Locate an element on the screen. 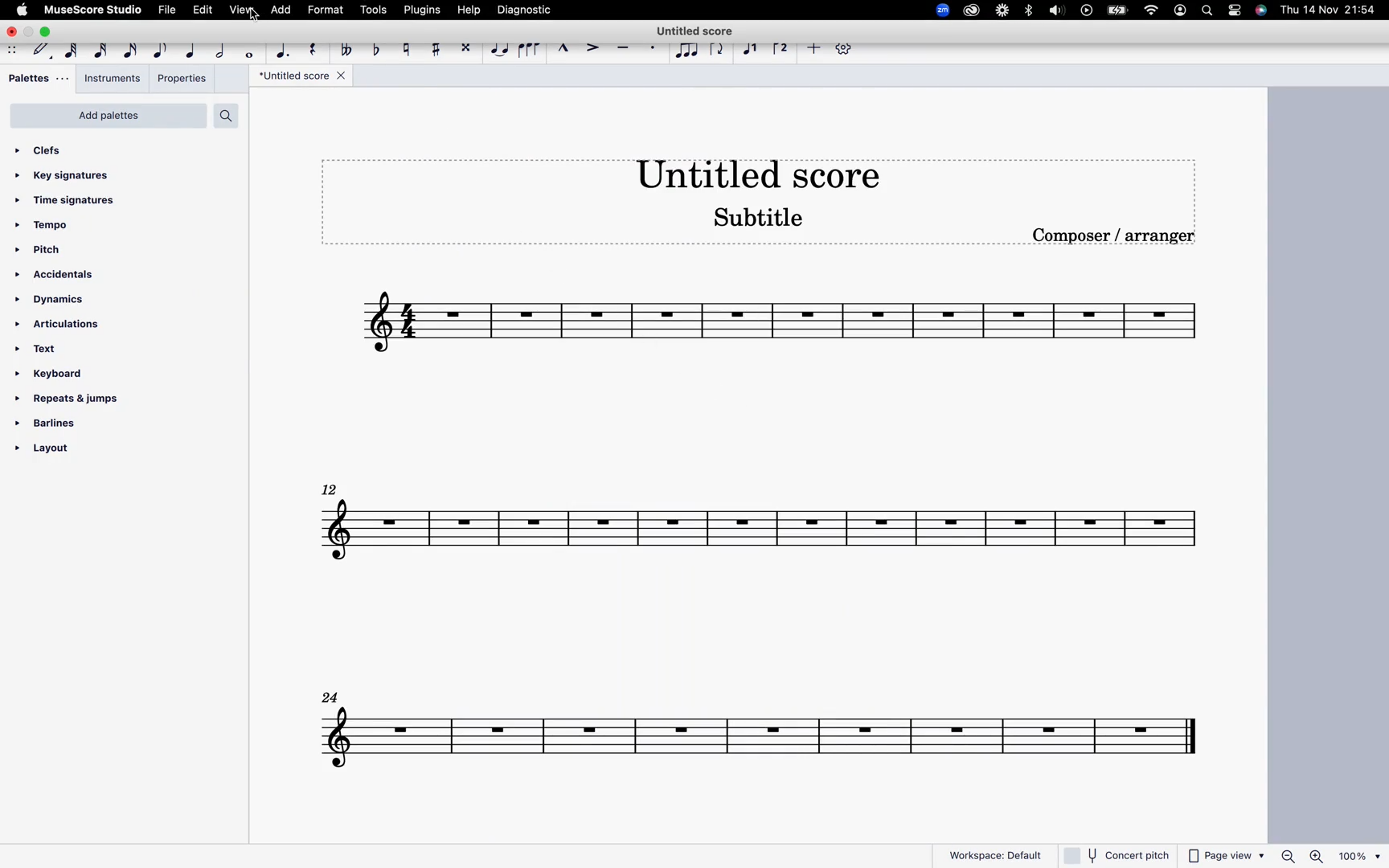 This screenshot has height=868, width=1389. sound is located at coordinates (1055, 12).